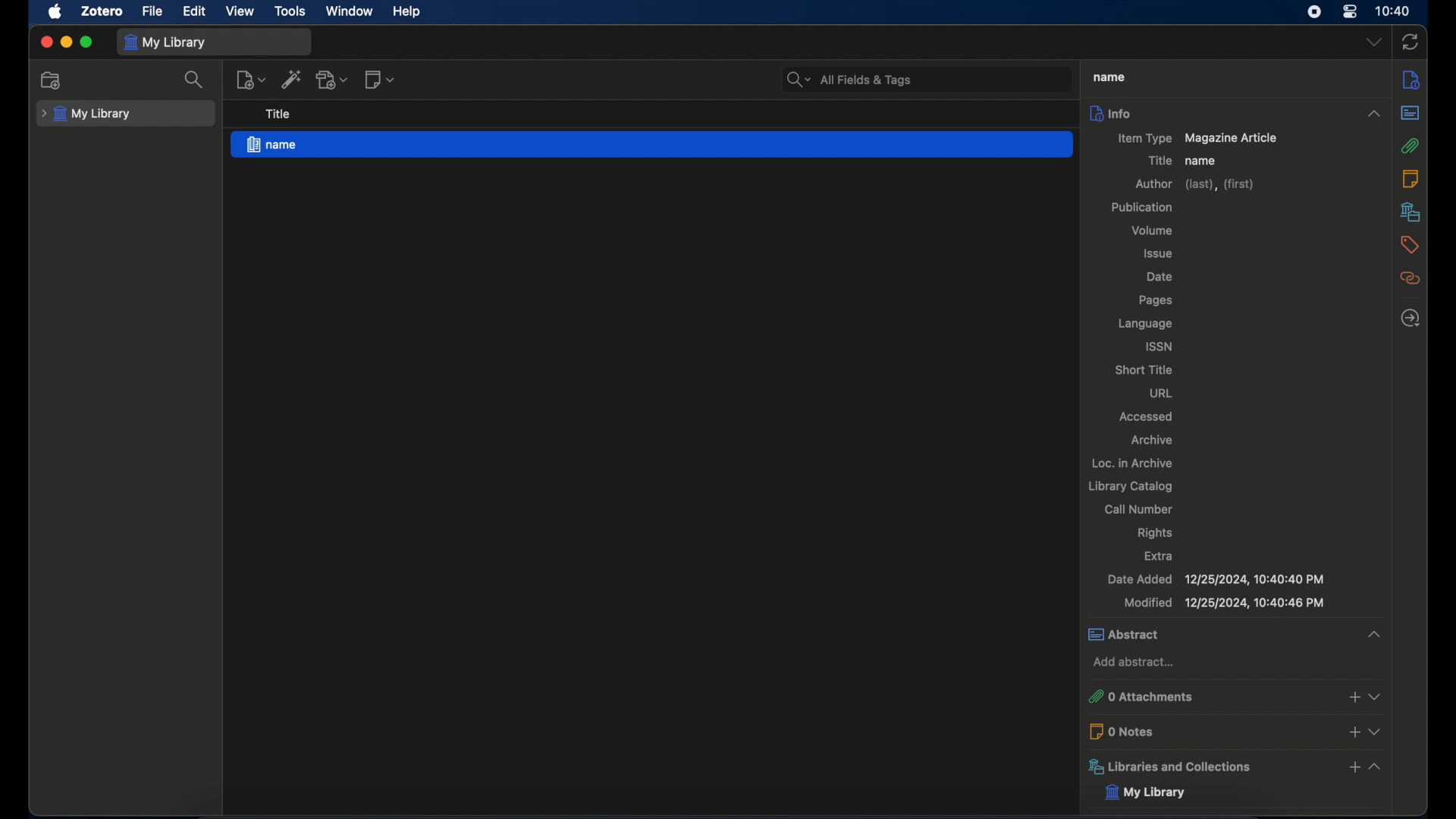  What do you see at coordinates (1407, 212) in the screenshot?
I see `libraries` at bounding box center [1407, 212].